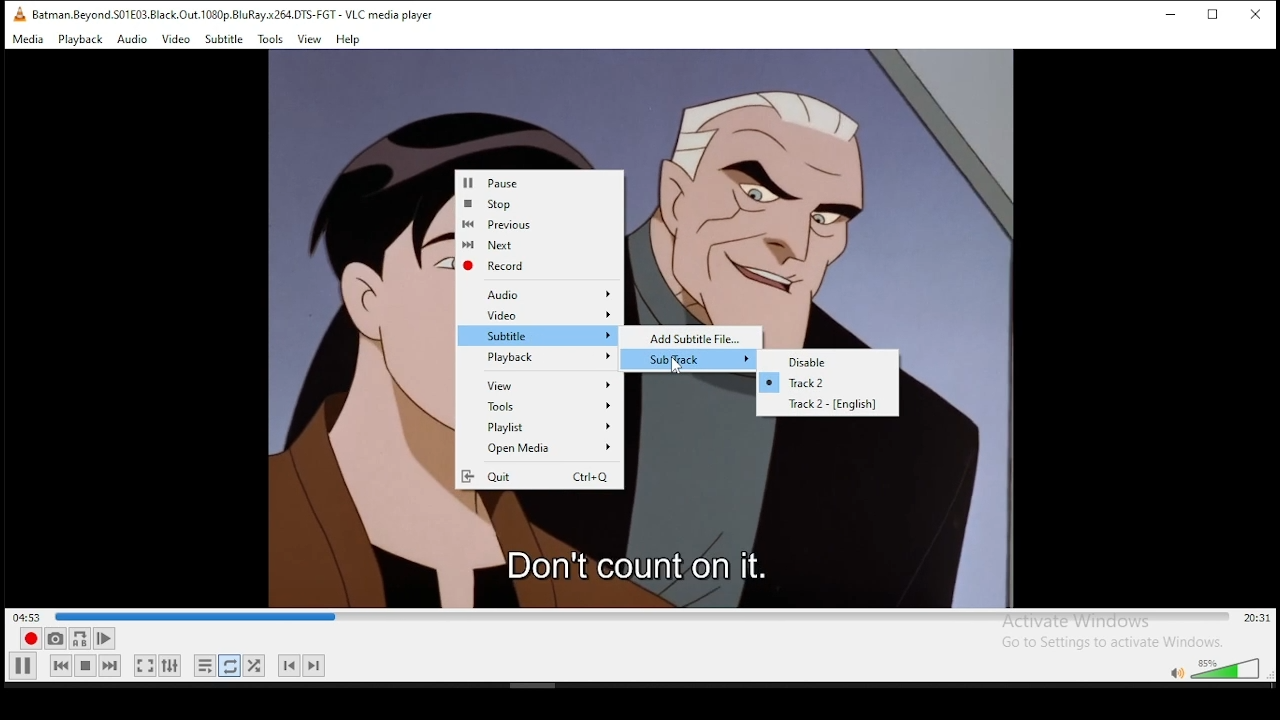  Describe the element at coordinates (29, 40) in the screenshot. I see `Media` at that location.